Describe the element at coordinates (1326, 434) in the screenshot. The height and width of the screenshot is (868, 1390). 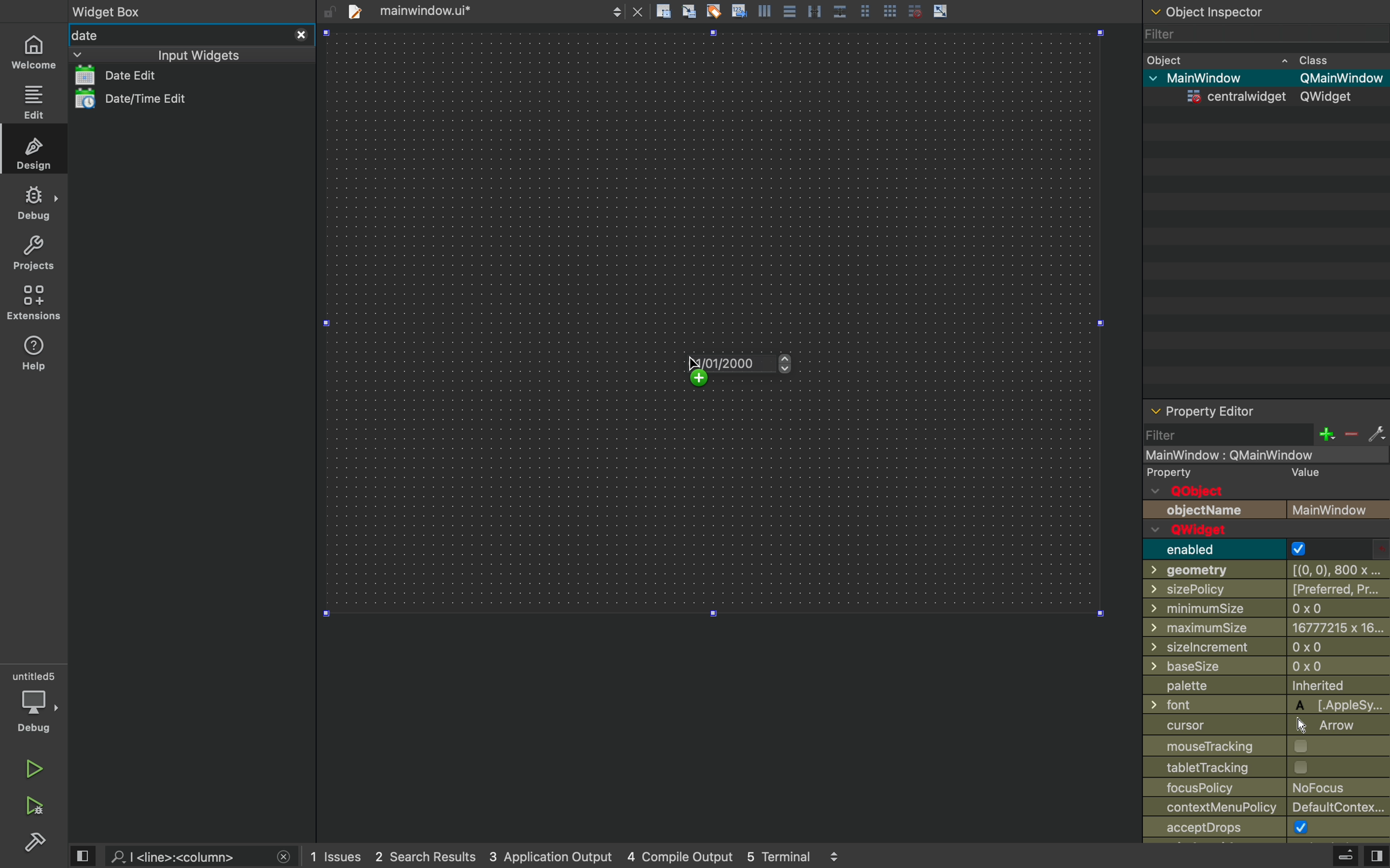
I see `plus` at that location.